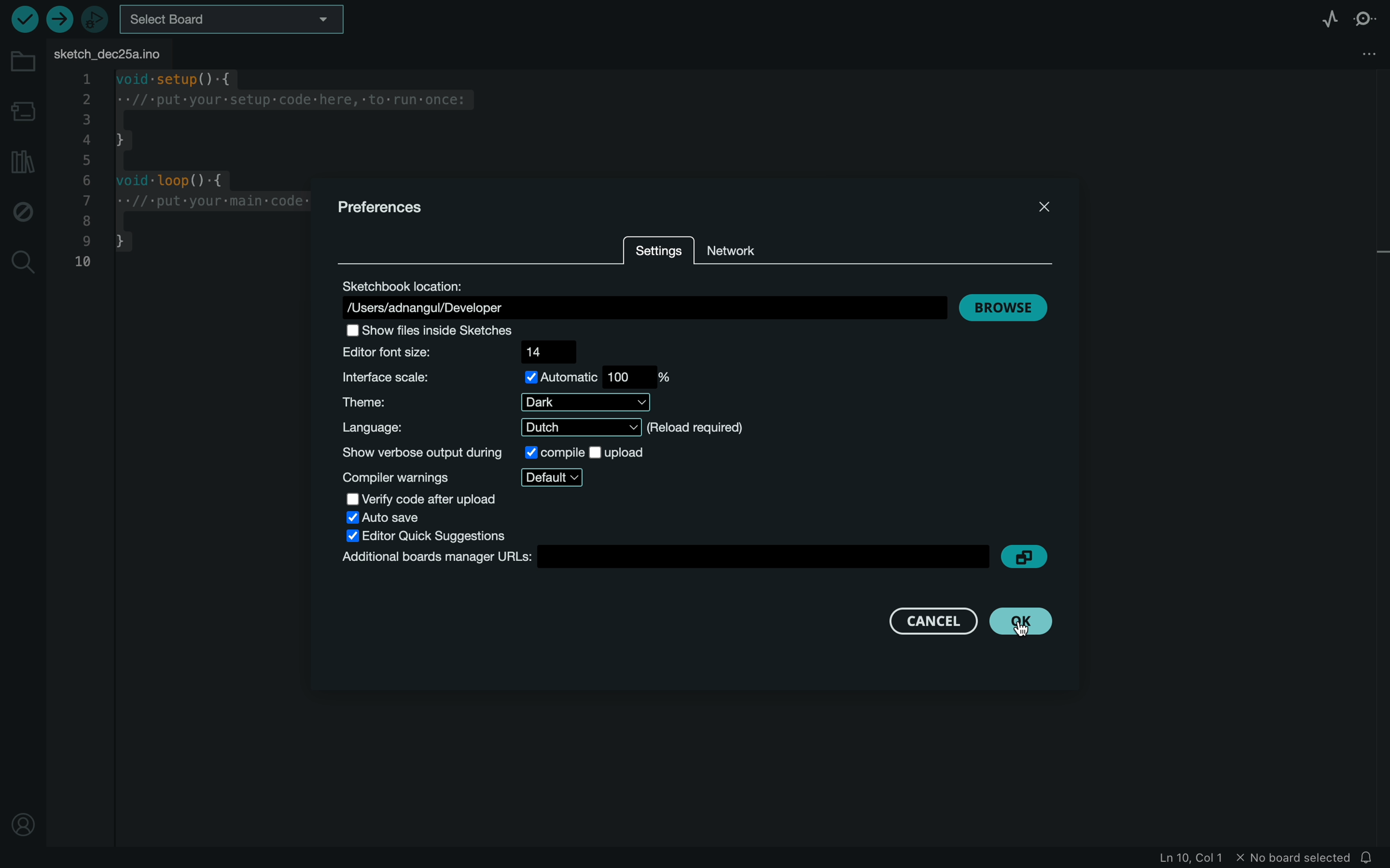 The width and height of the screenshot is (1390, 868). I want to click on close, so click(1045, 206).